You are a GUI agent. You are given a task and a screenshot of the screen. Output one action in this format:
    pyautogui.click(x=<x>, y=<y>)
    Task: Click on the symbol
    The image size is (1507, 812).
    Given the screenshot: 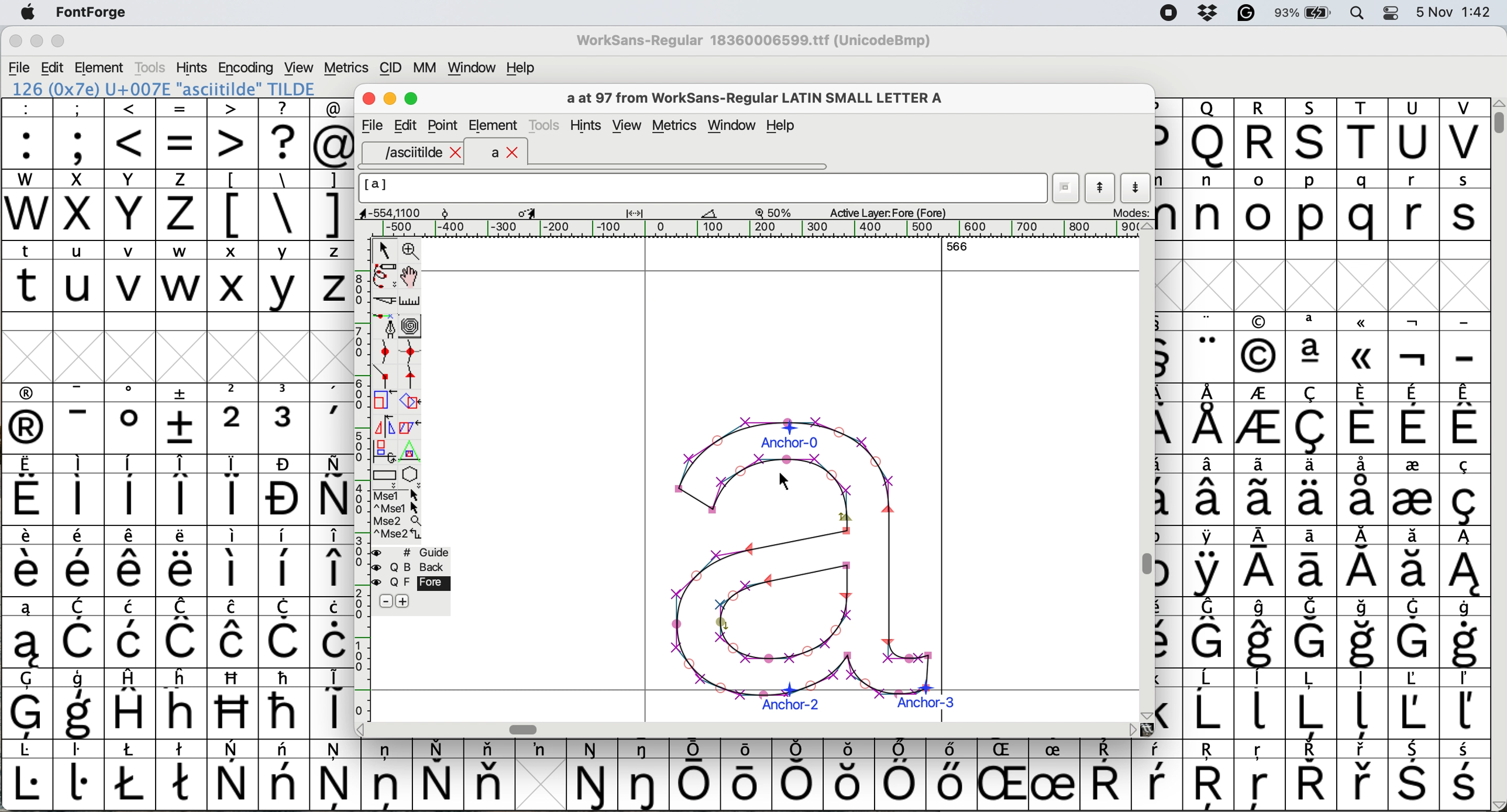 What is the action you would take?
    pyautogui.click(x=334, y=632)
    